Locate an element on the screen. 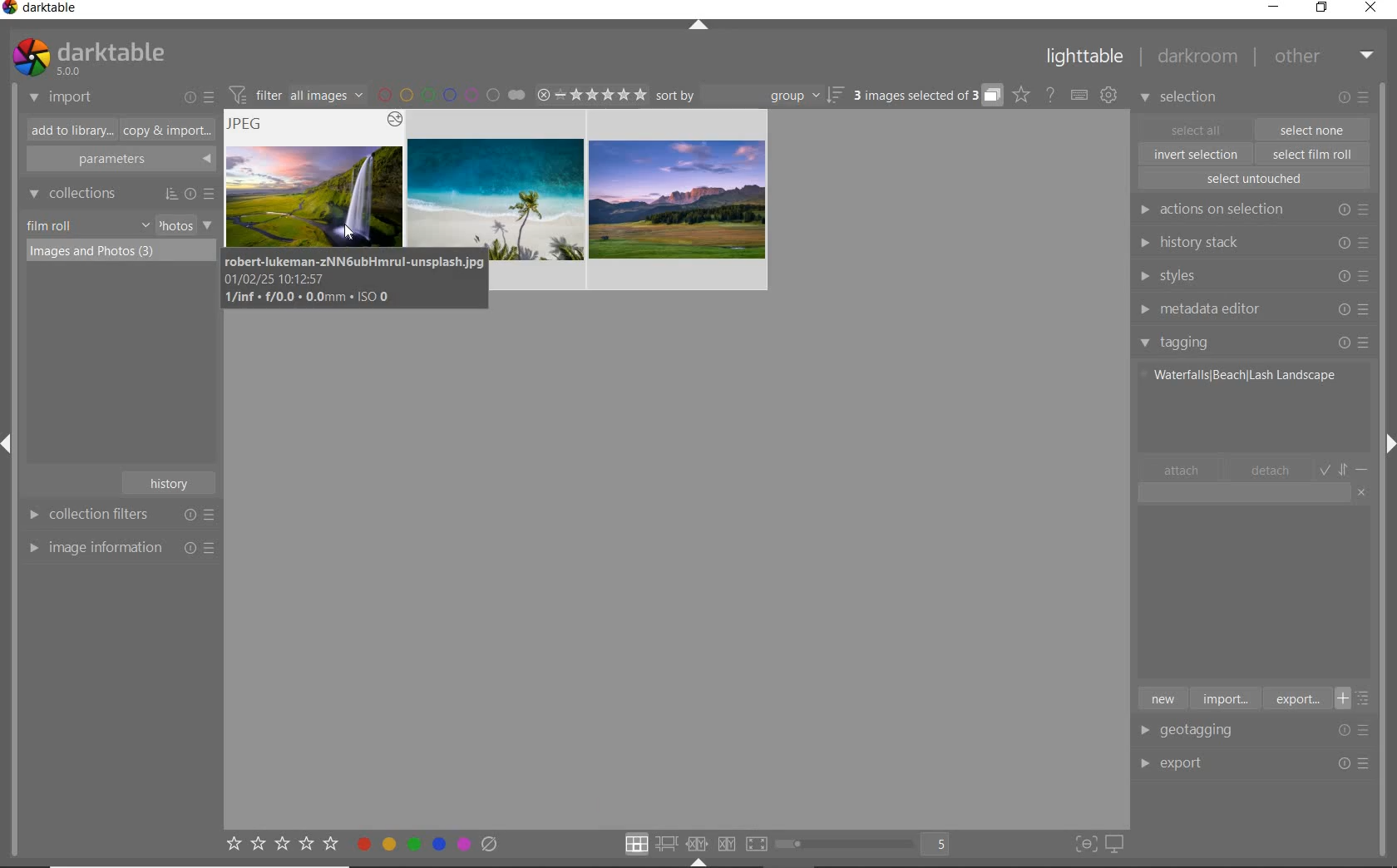  export is located at coordinates (1296, 698).